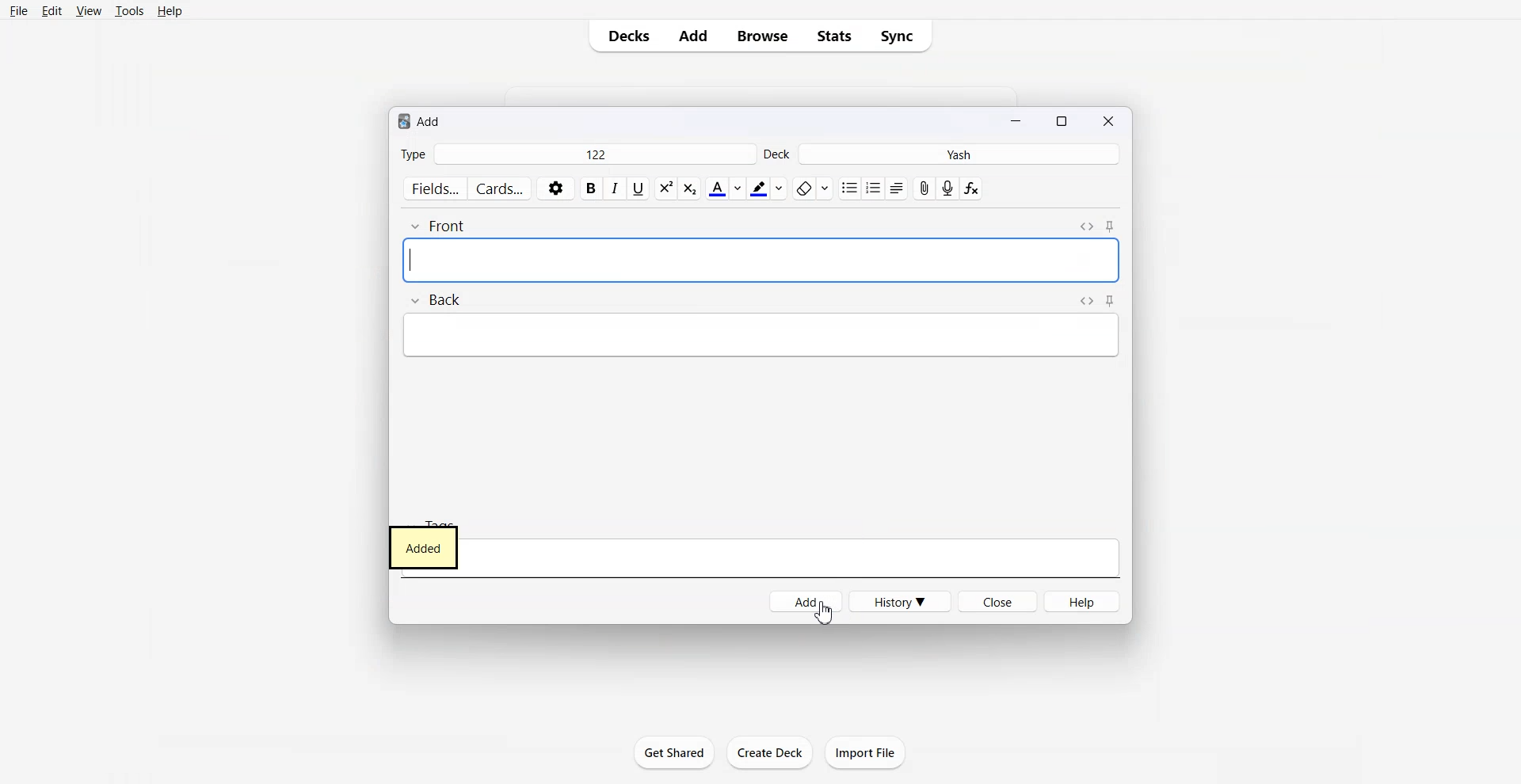 The image size is (1521, 784). What do you see at coordinates (825, 612) in the screenshot?
I see `Cursor` at bounding box center [825, 612].